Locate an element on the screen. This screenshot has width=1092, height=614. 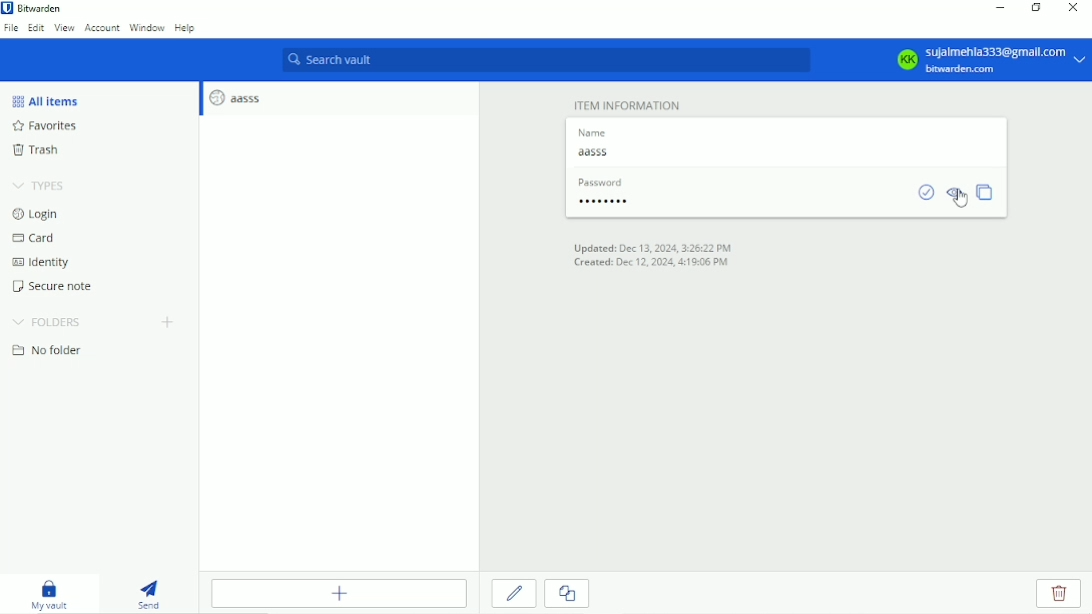
Clone is located at coordinates (567, 593).